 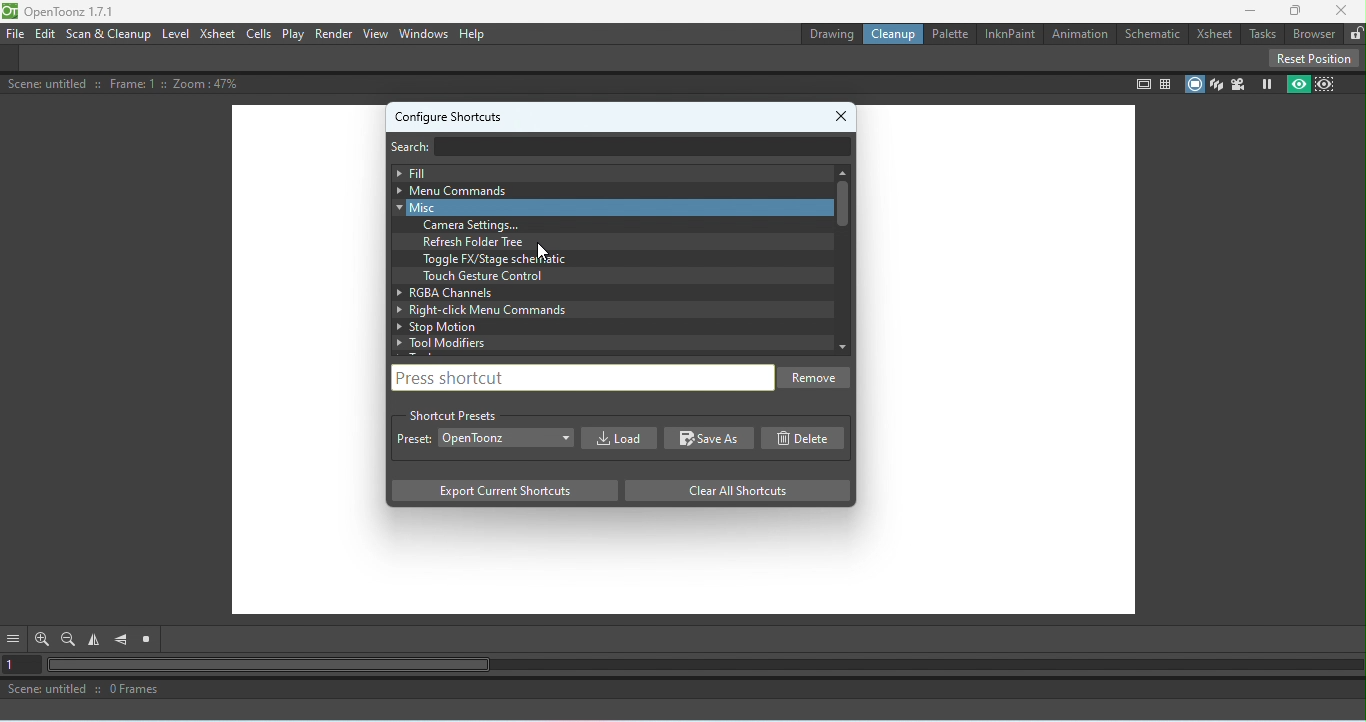 What do you see at coordinates (603, 207) in the screenshot?
I see `Miscellaneous` at bounding box center [603, 207].